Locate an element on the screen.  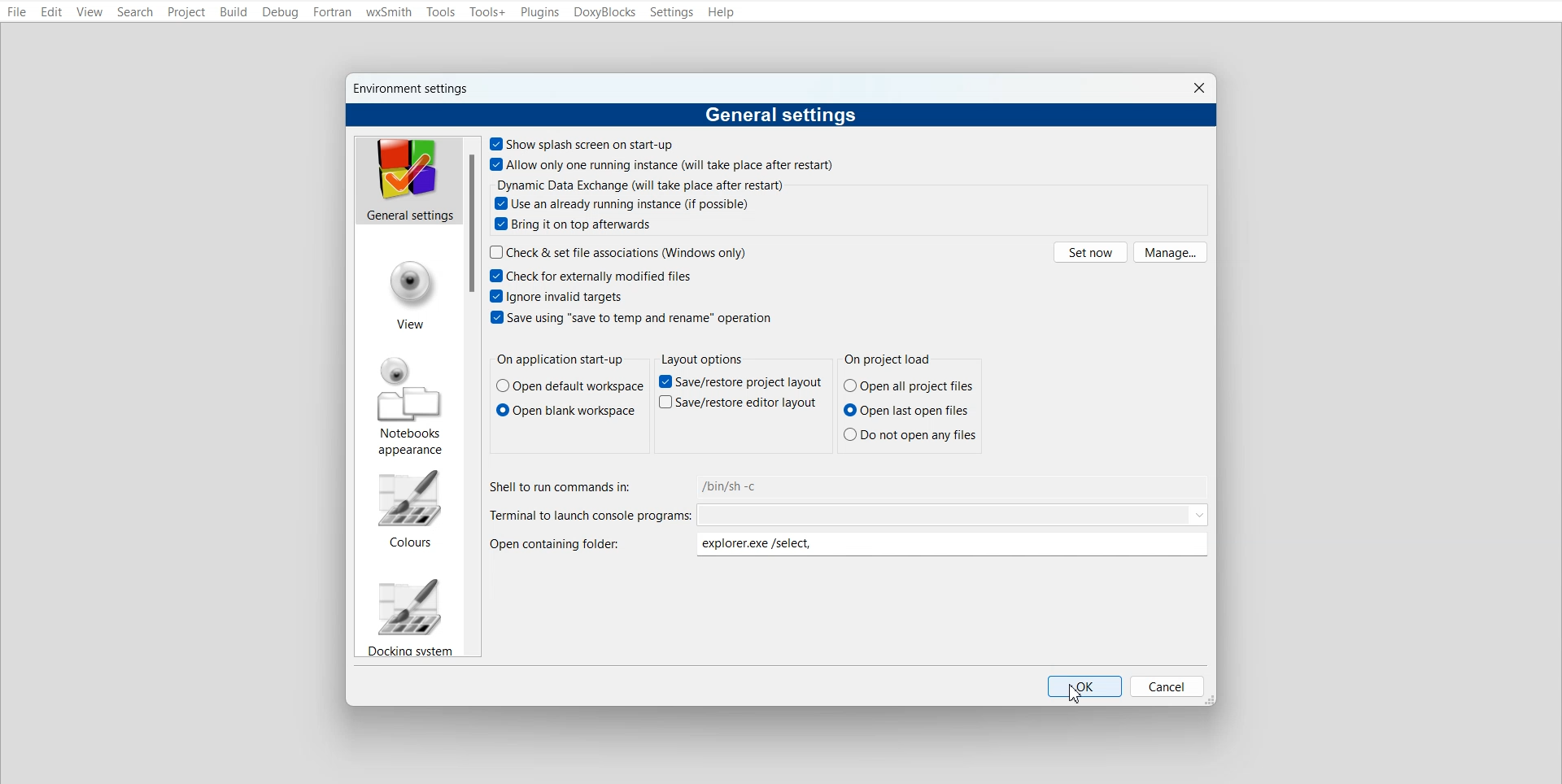
Text is located at coordinates (701, 359).